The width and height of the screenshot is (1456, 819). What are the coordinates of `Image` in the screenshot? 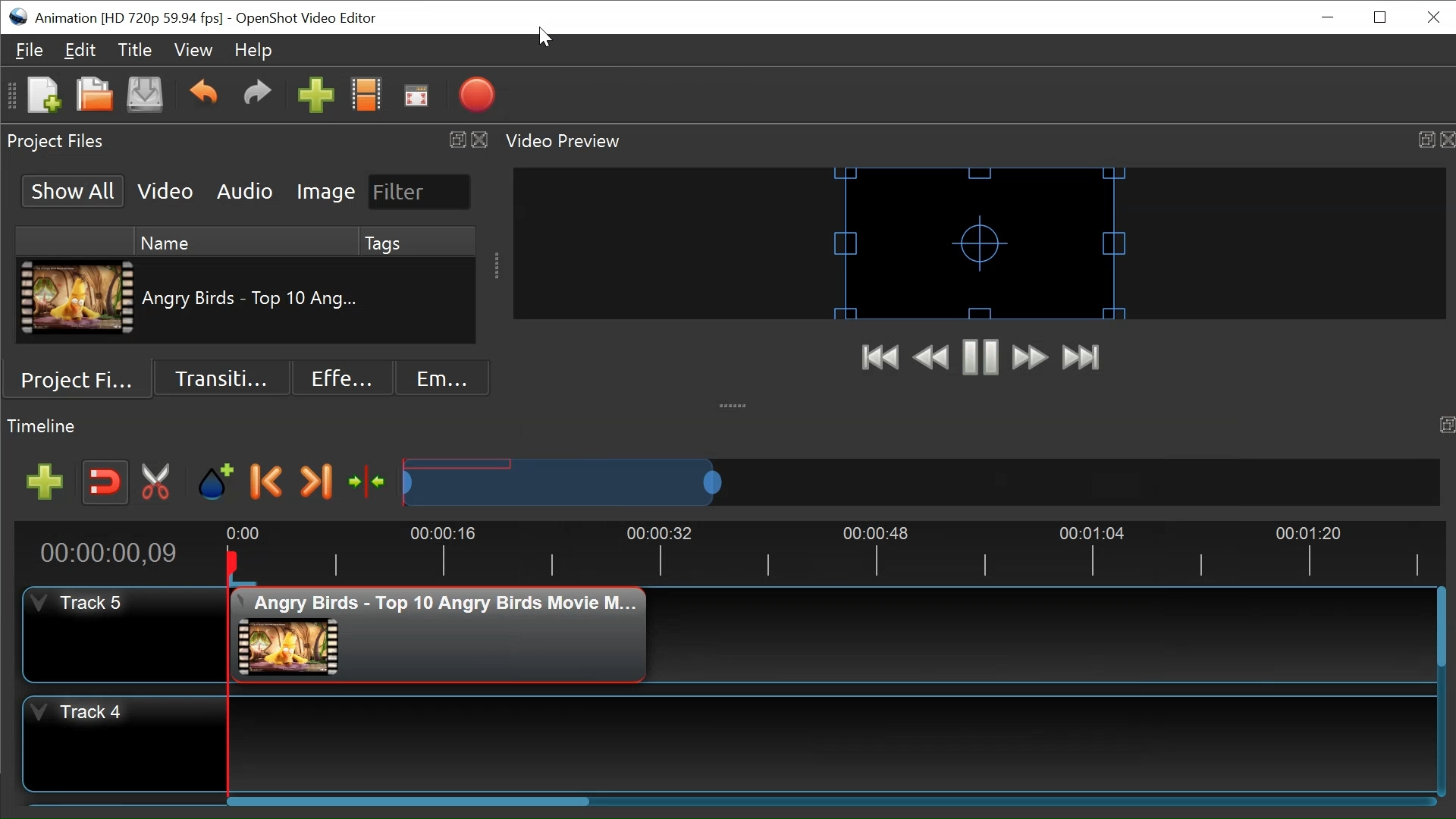 It's located at (327, 191).